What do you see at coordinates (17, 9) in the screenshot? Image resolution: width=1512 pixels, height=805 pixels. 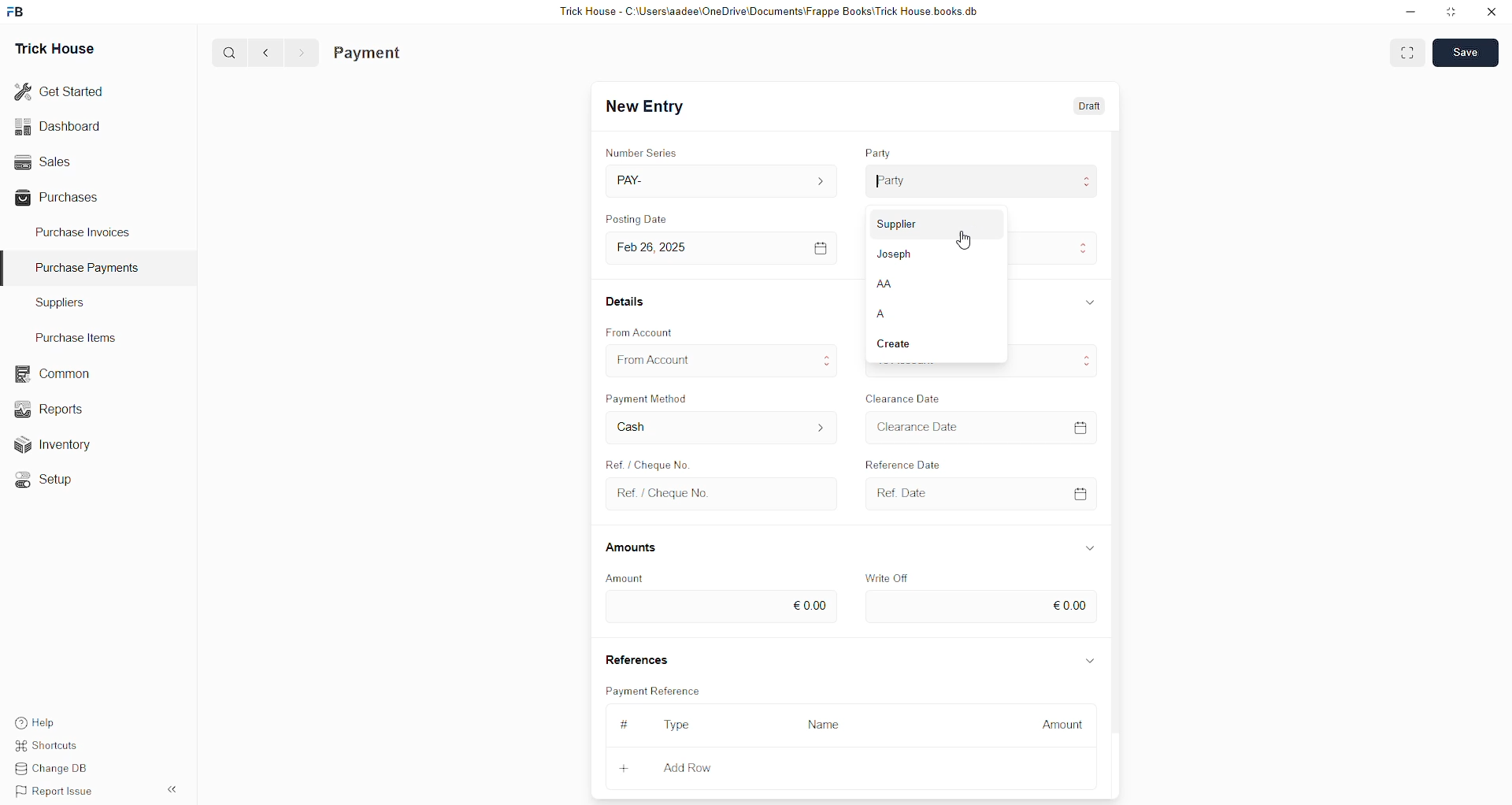 I see `frappebooks logo` at bounding box center [17, 9].